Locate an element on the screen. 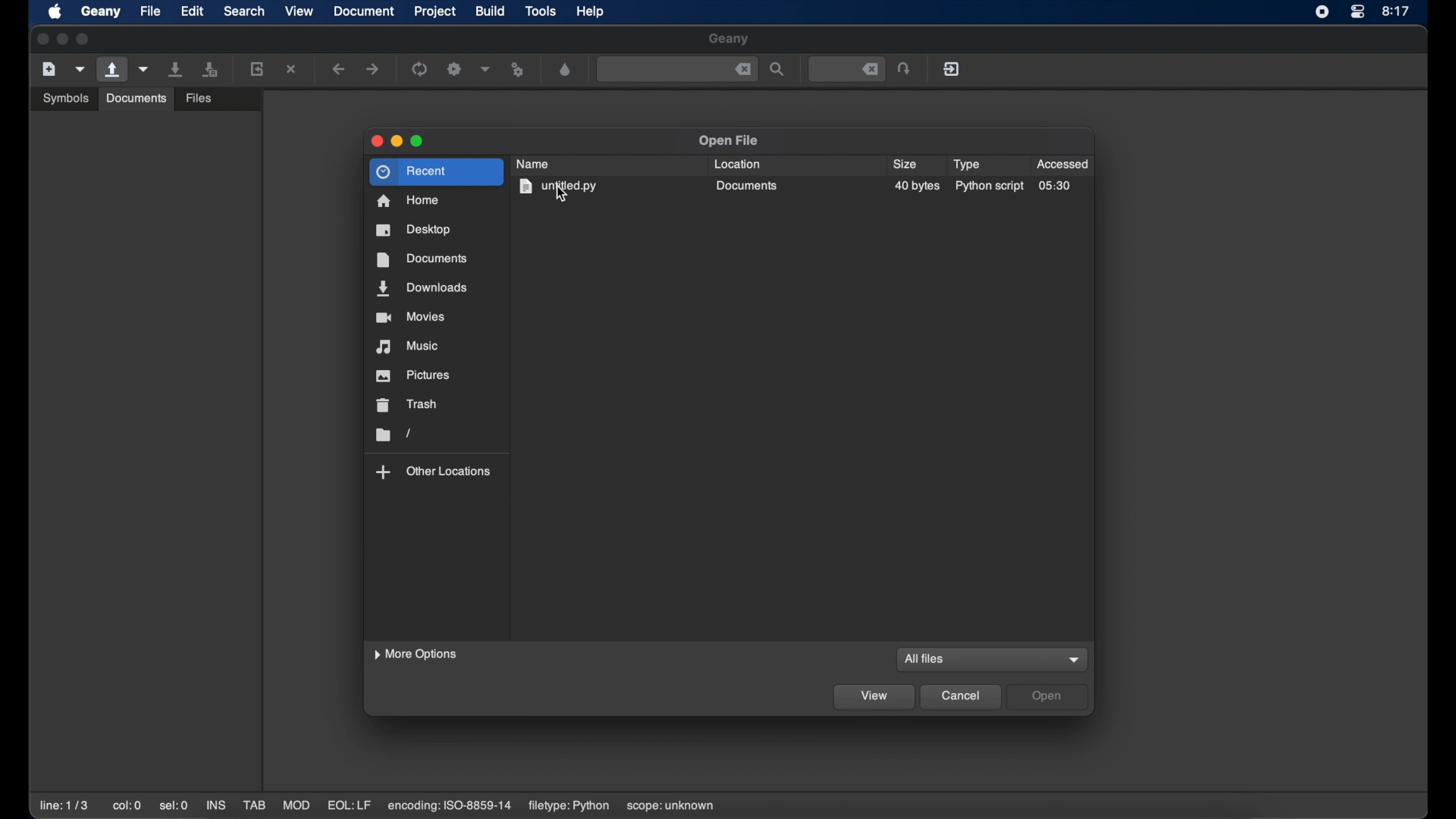 The height and width of the screenshot is (819, 1456). tab is located at coordinates (253, 805).